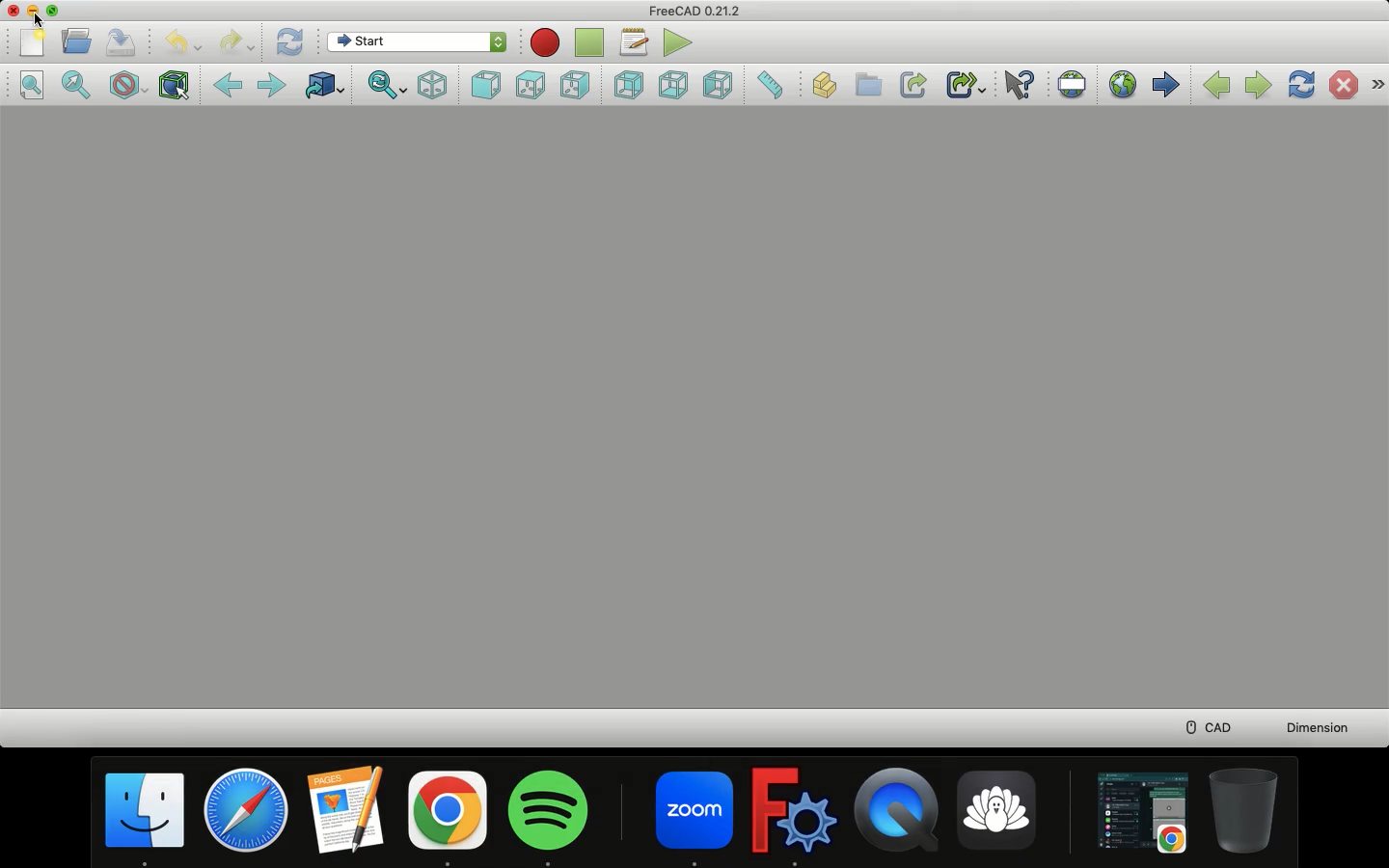  What do you see at coordinates (544, 41) in the screenshot?
I see `macro reading` at bounding box center [544, 41].